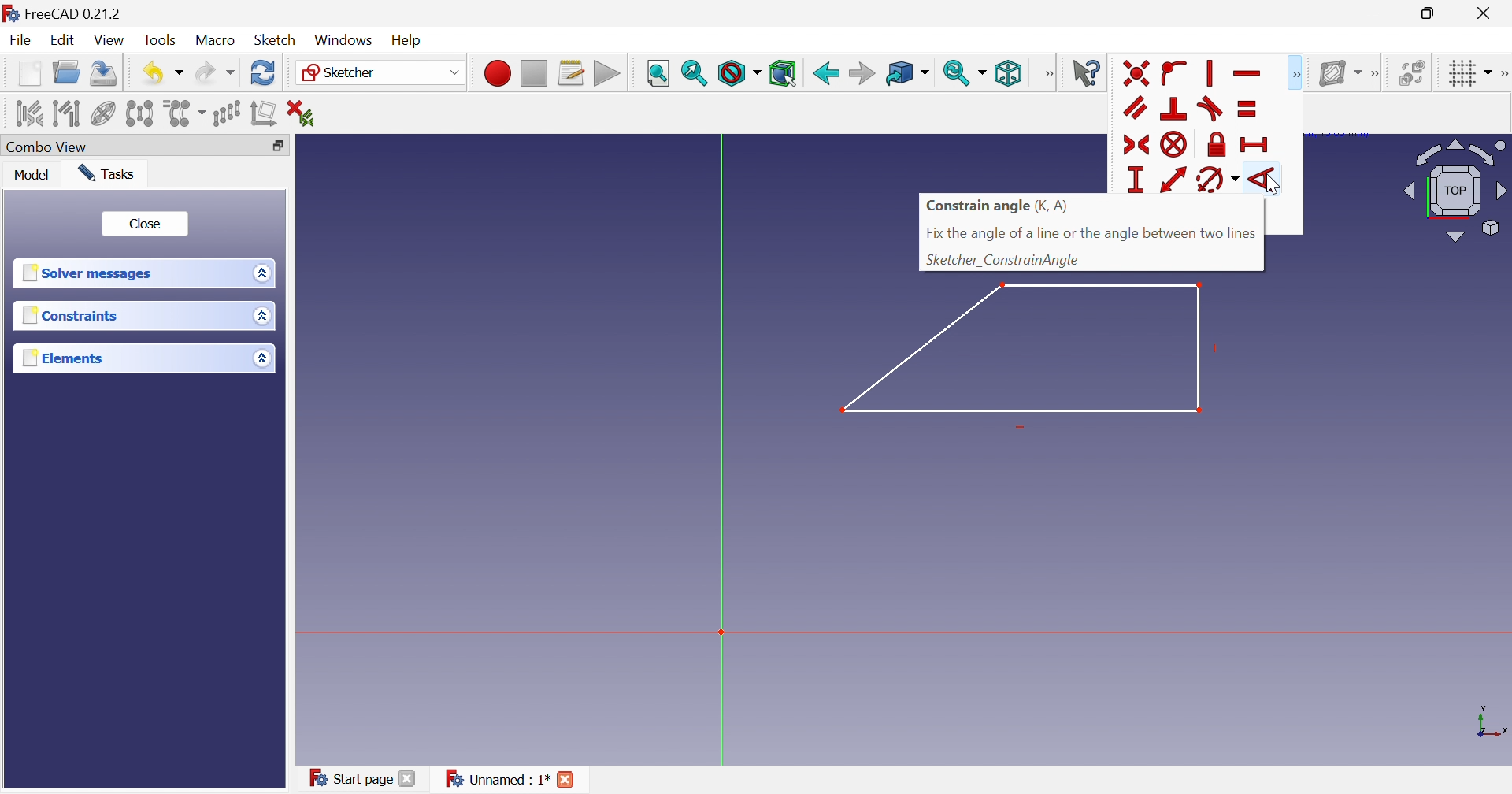 The image size is (1512, 794). What do you see at coordinates (1133, 180) in the screenshot?
I see `Constraint Vertical distance` at bounding box center [1133, 180].